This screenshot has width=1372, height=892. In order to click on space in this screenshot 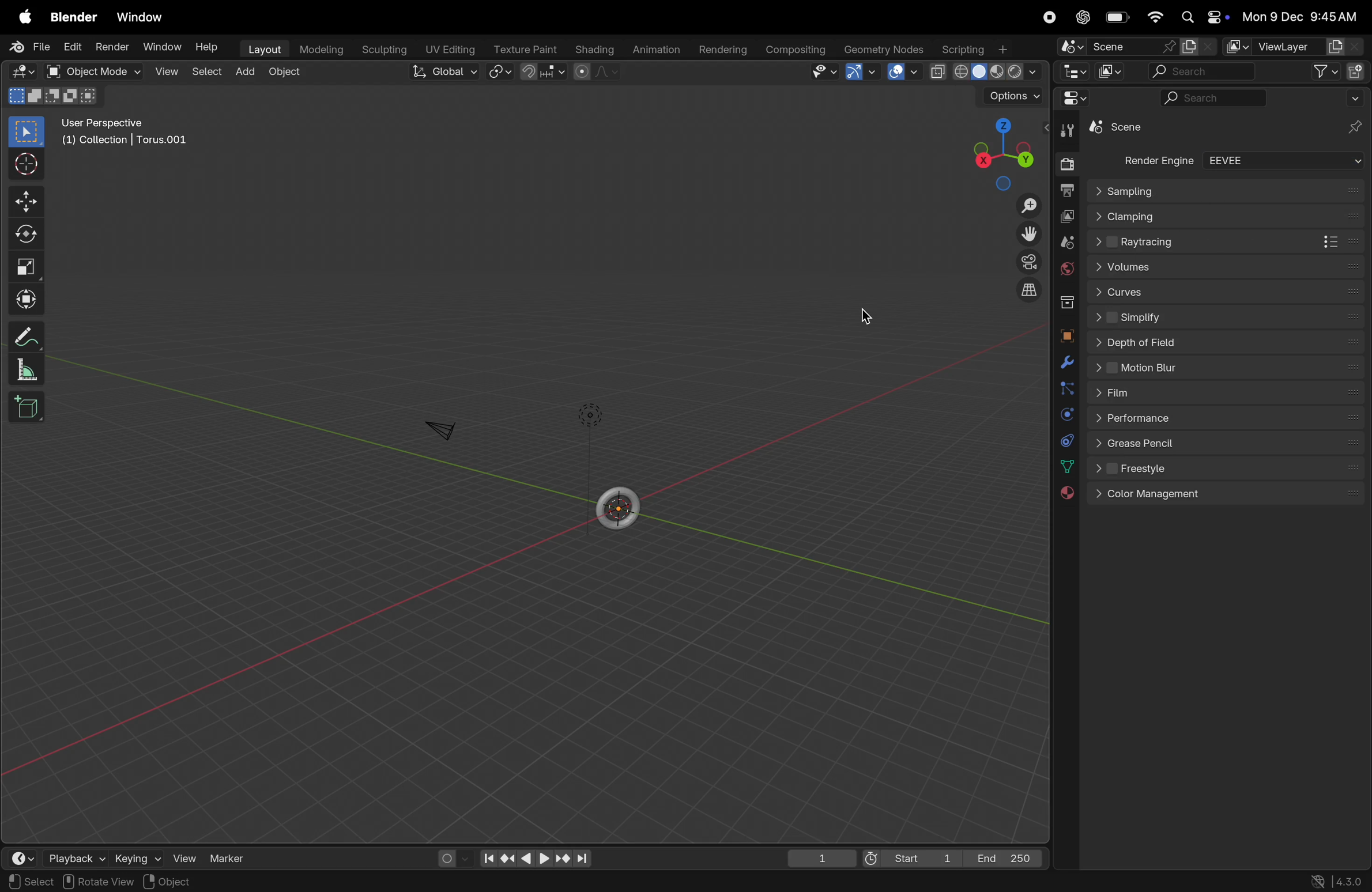, I will do `click(903, 73)`.